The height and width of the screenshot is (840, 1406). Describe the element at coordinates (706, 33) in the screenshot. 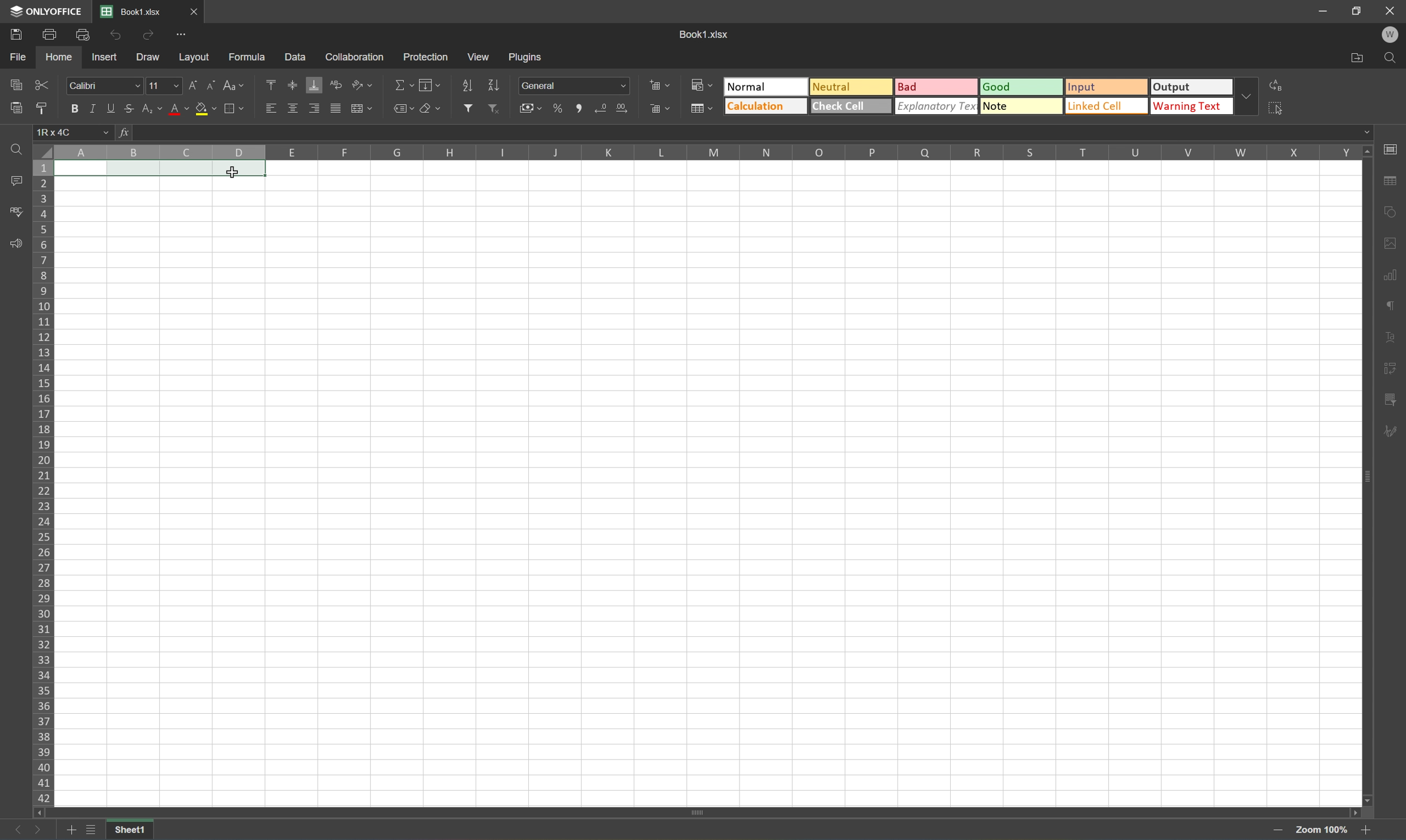

I see `Book1.xlsx` at that location.